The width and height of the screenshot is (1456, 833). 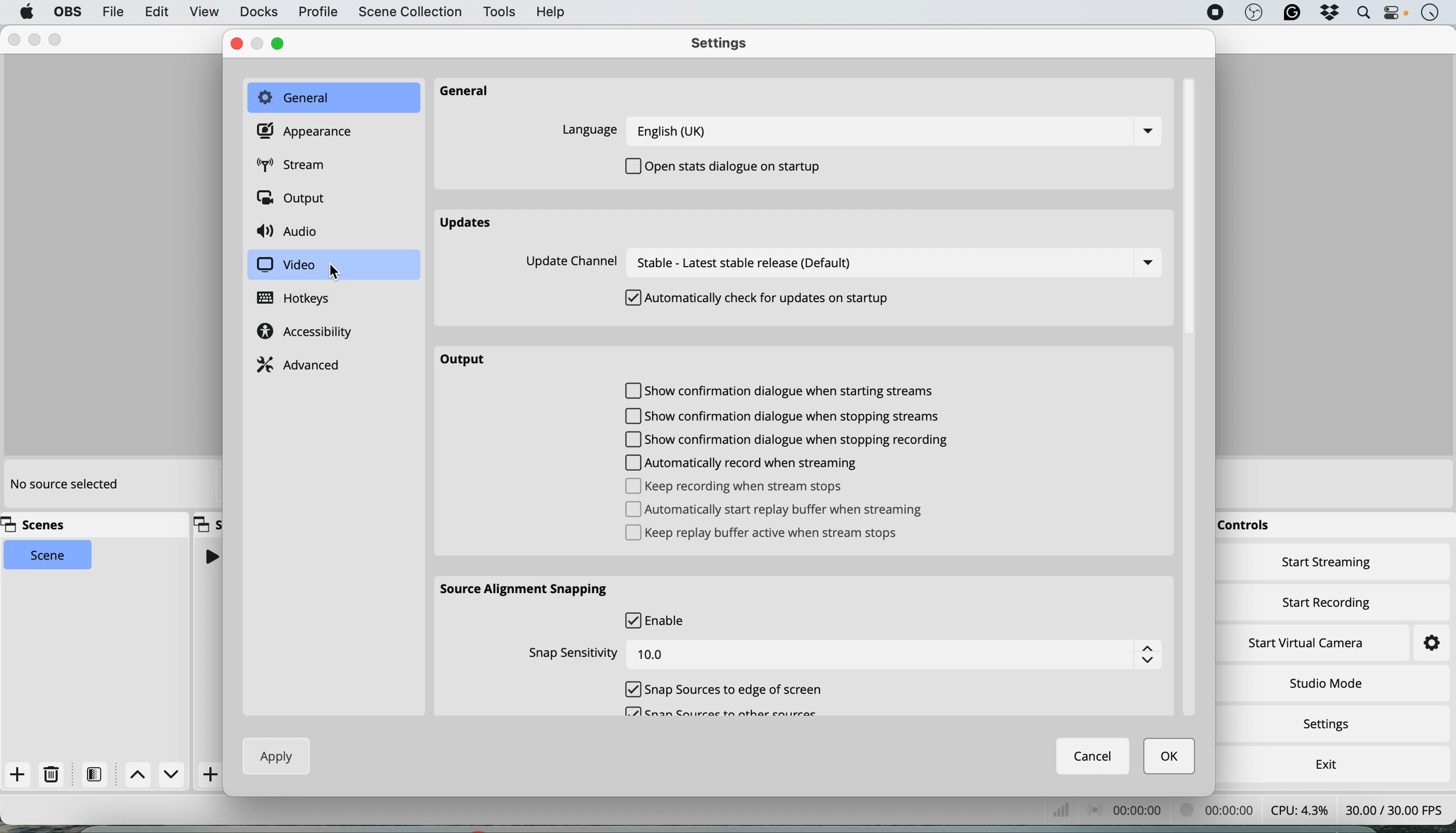 What do you see at coordinates (735, 486) in the screenshot?
I see `keep recording when stream stops` at bounding box center [735, 486].